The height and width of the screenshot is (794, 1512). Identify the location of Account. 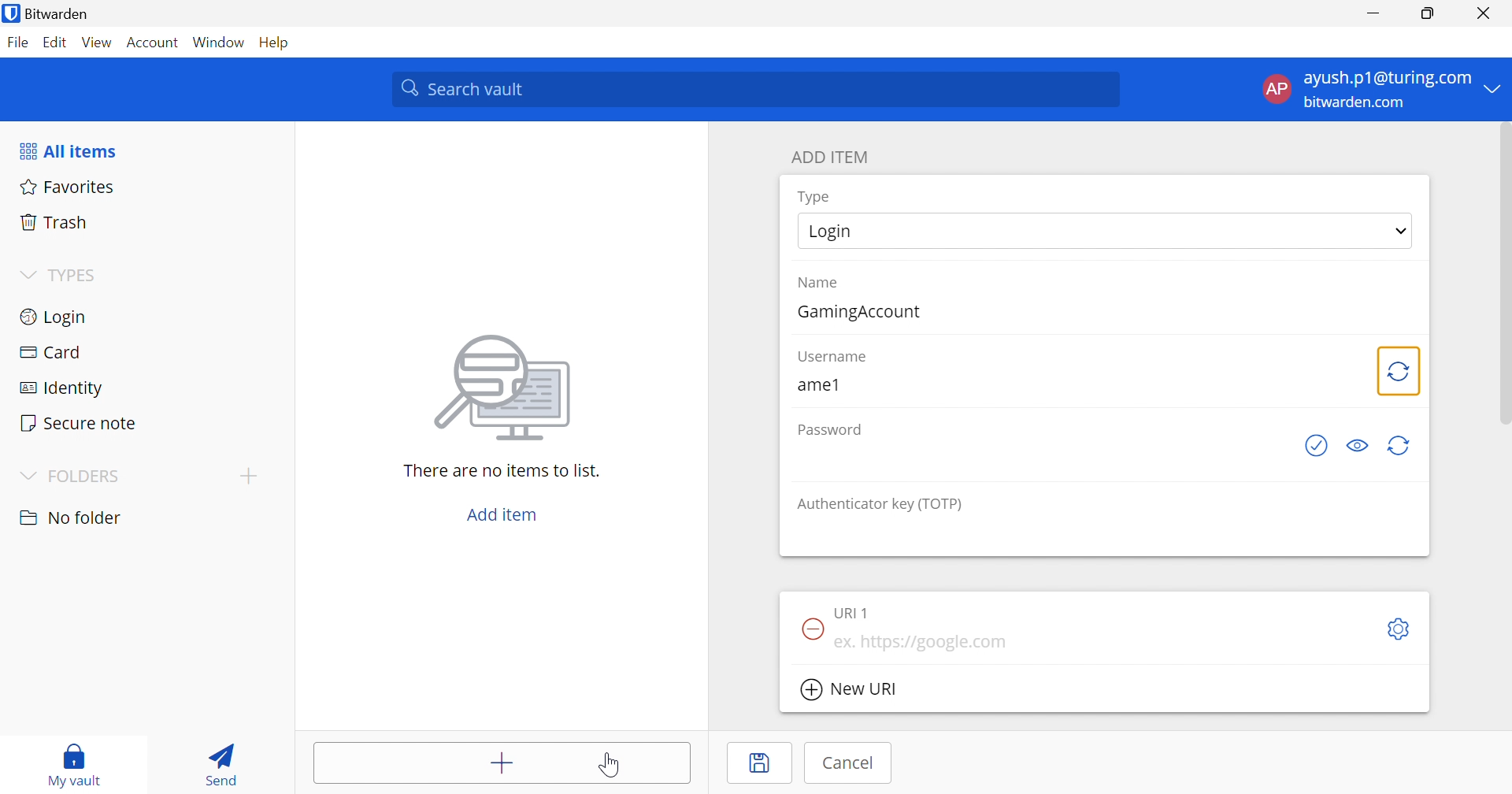
(154, 41).